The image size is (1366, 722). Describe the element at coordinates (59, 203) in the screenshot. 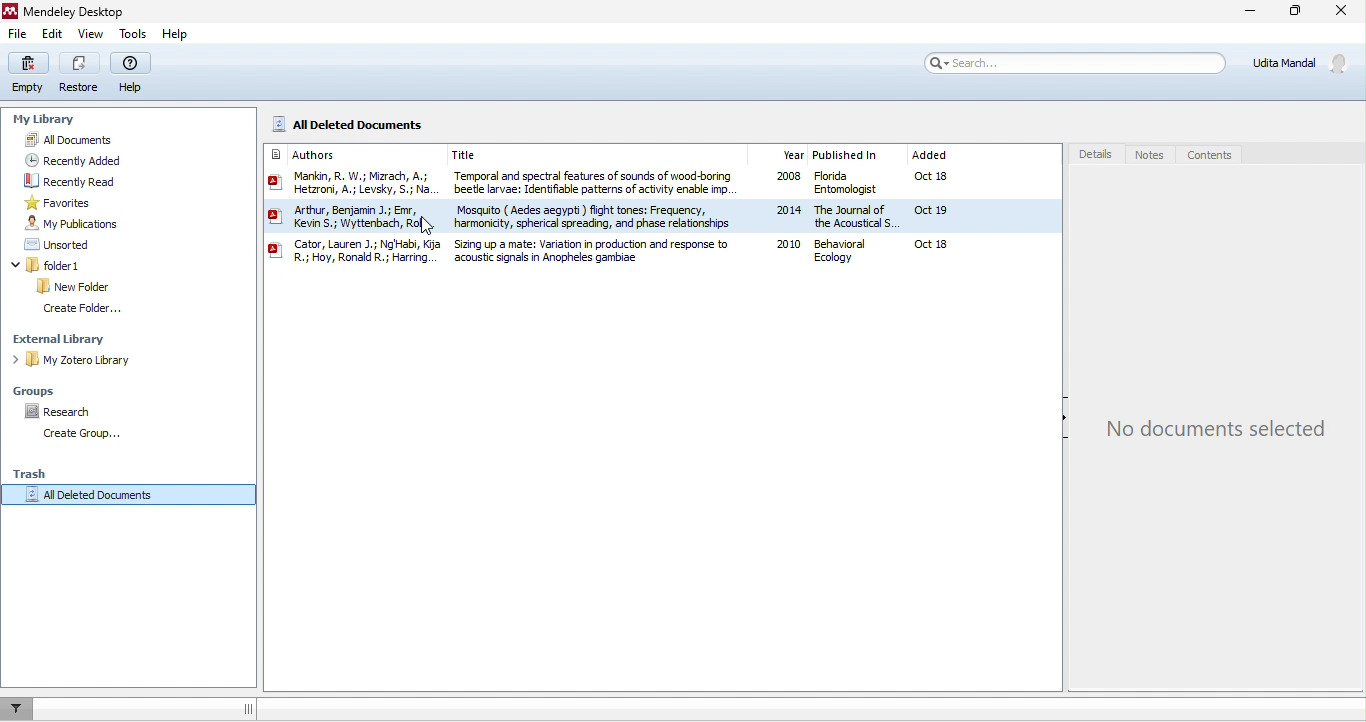

I see `favorites` at that location.